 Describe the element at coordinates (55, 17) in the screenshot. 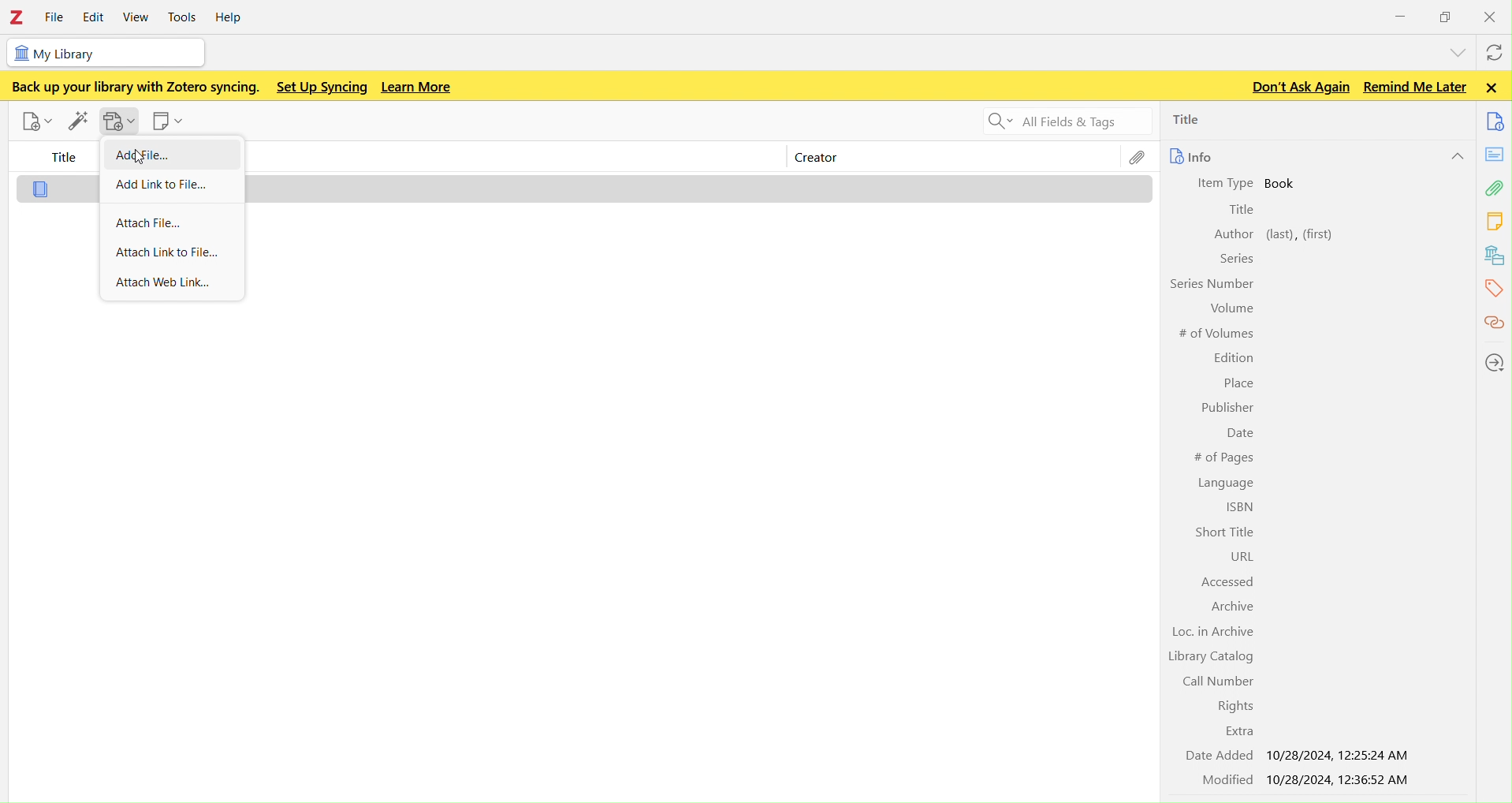

I see `file` at that location.